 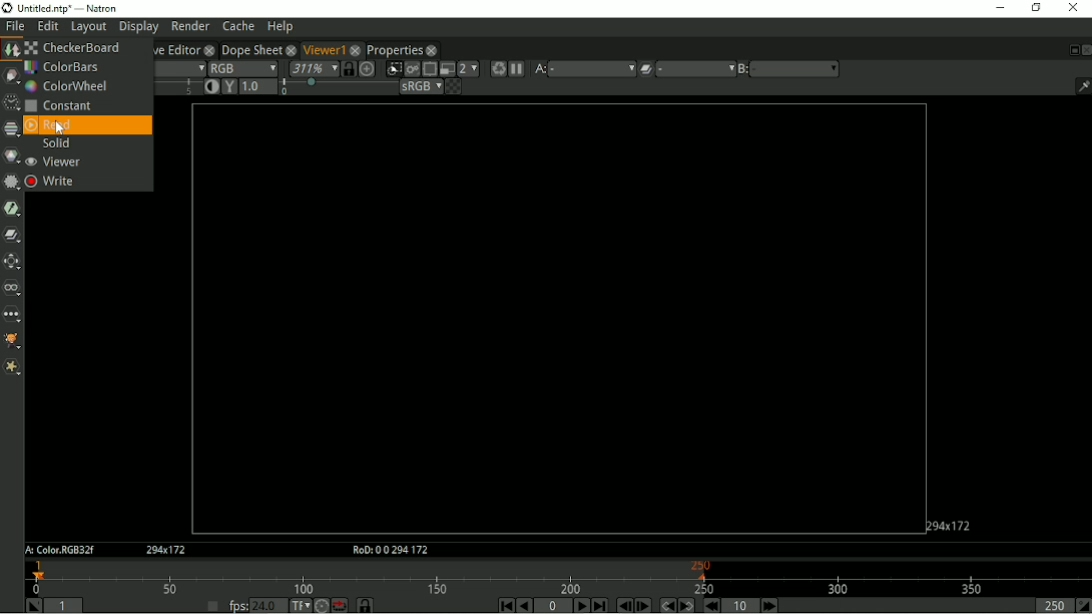 What do you see at coordinates (1082, 86) in the screenshot?
I see `Show/hide information bar` at bounding box center [1082, 86].